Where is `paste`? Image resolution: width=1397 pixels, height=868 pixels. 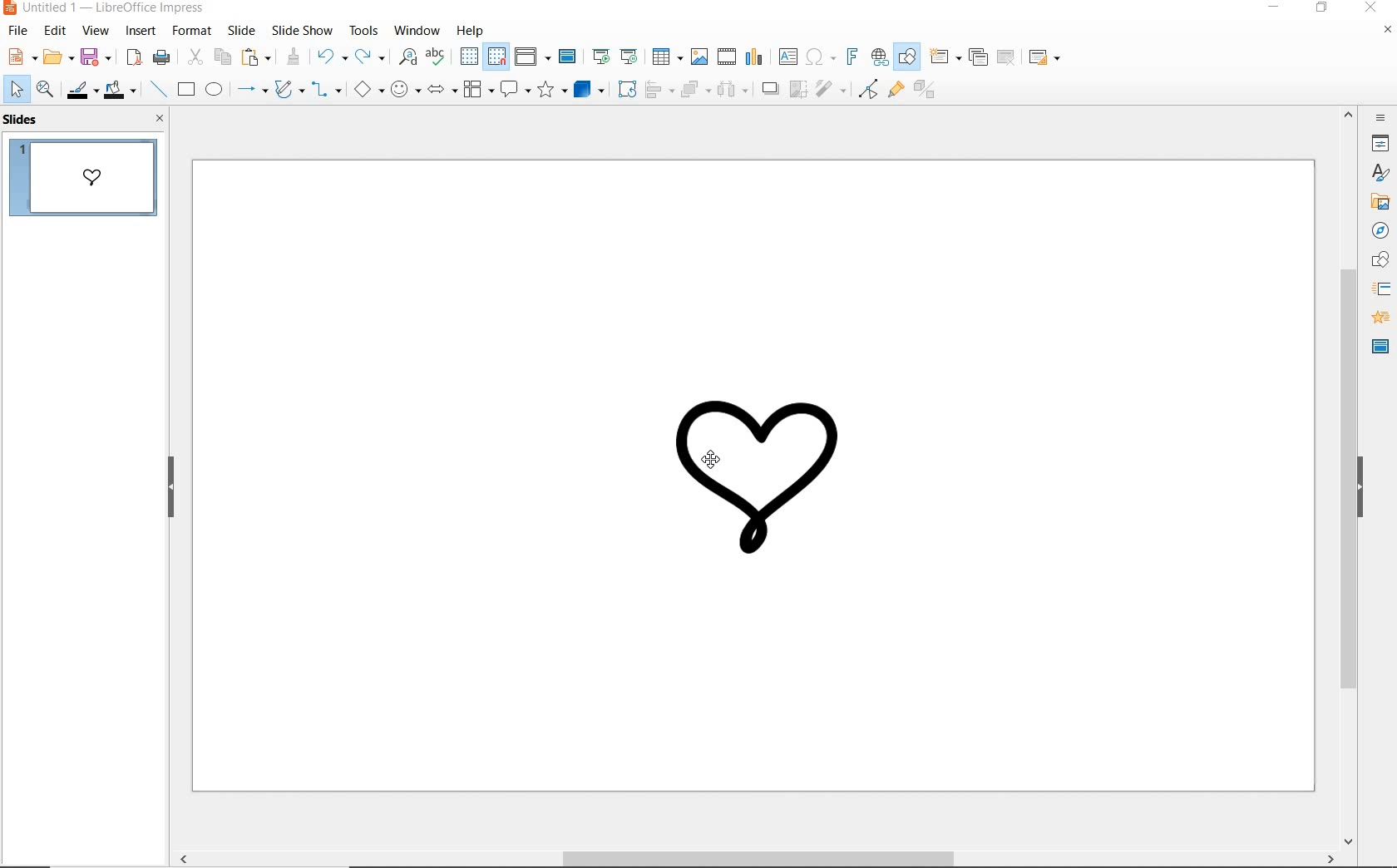 paste is located at coordinates (254, 58).